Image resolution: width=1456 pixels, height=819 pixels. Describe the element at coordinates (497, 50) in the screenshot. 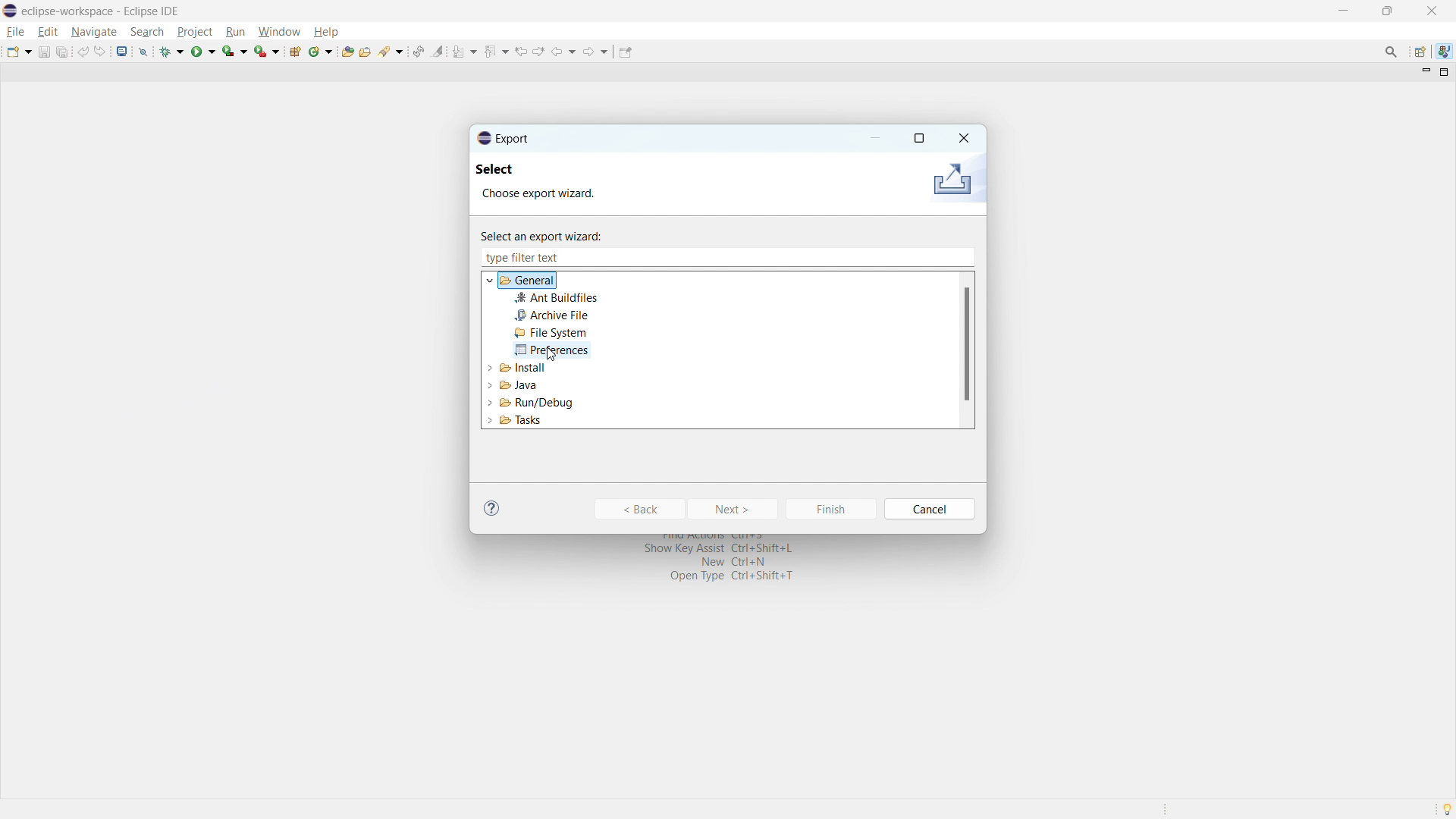

I see `previous annotation` at that location.